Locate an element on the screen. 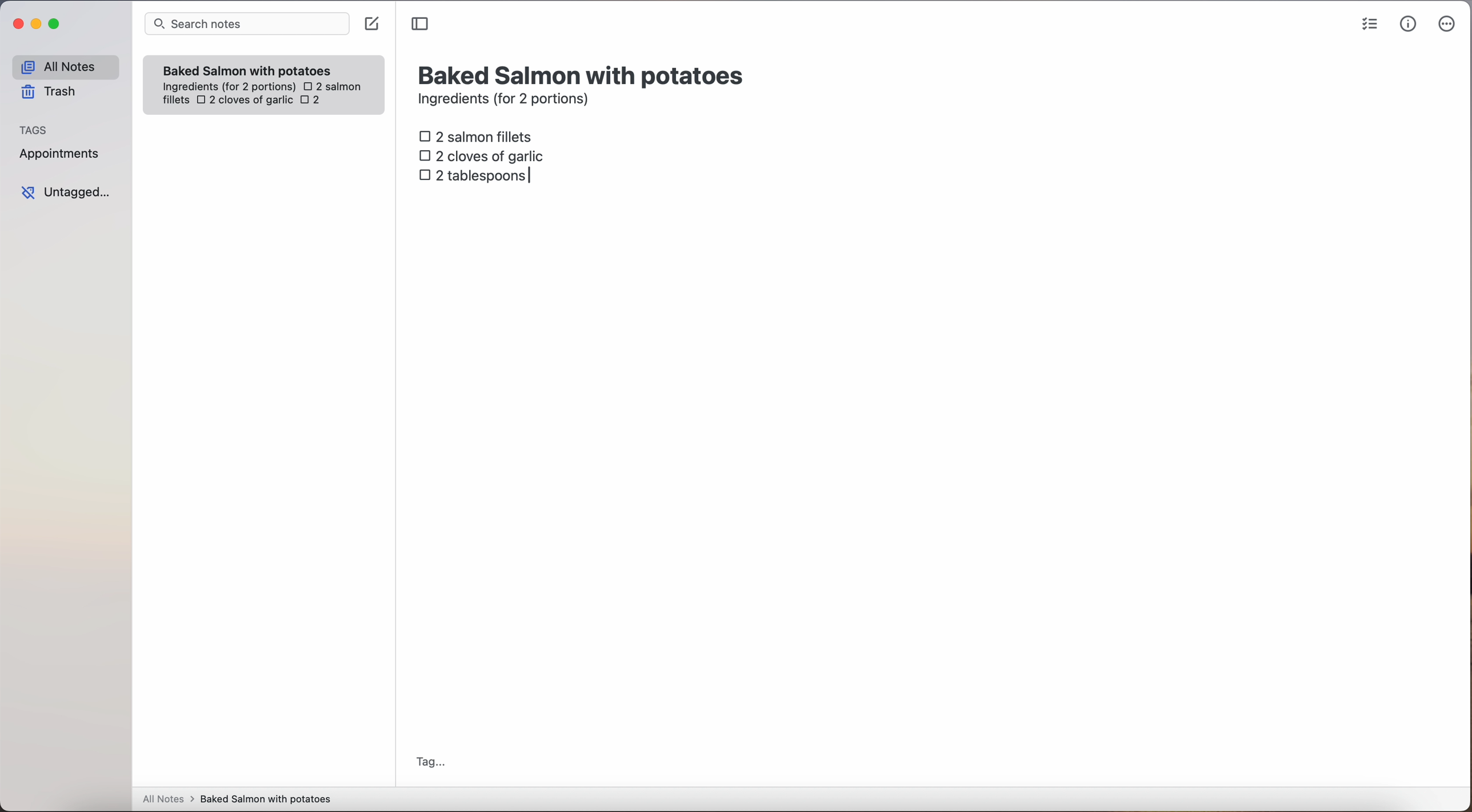  title is located at coordinates (583, 74).